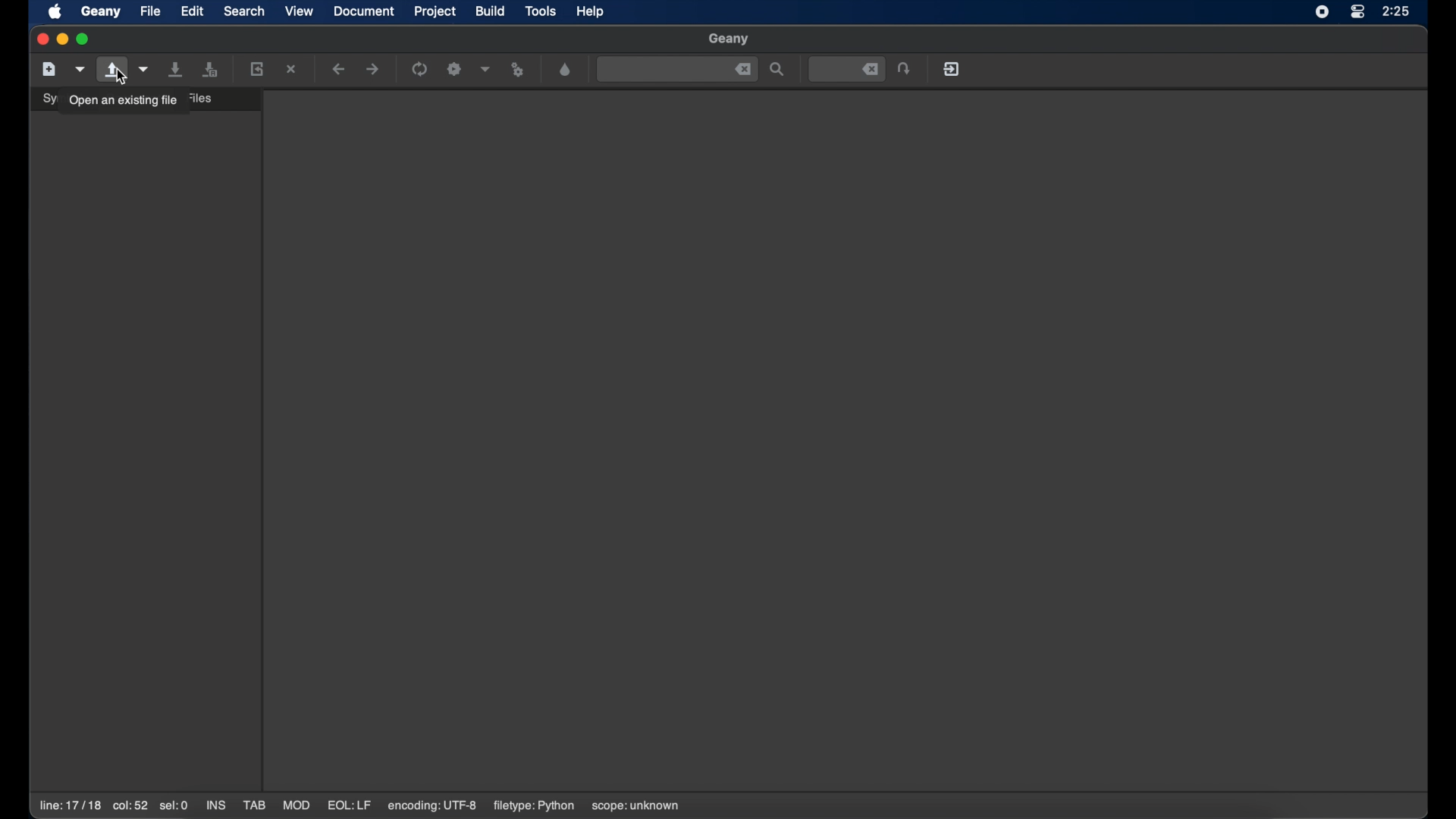 The width and height of the screenshot is (1456, 819). I want to click on filetype: python, so click(532, 805).